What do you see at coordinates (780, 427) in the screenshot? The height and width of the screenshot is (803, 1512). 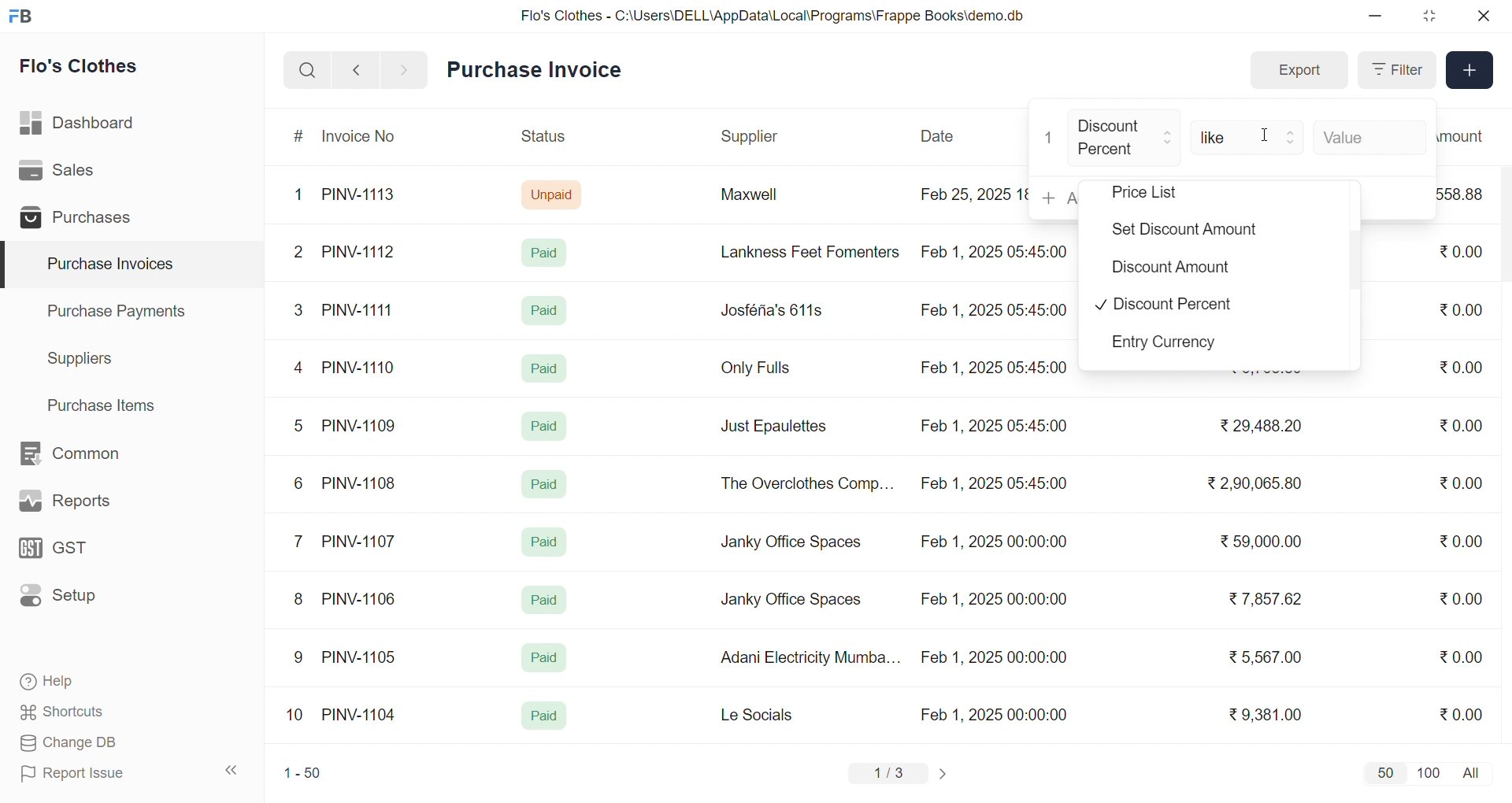 I see `Just Epaulettes` at bounding box center [780, 427].